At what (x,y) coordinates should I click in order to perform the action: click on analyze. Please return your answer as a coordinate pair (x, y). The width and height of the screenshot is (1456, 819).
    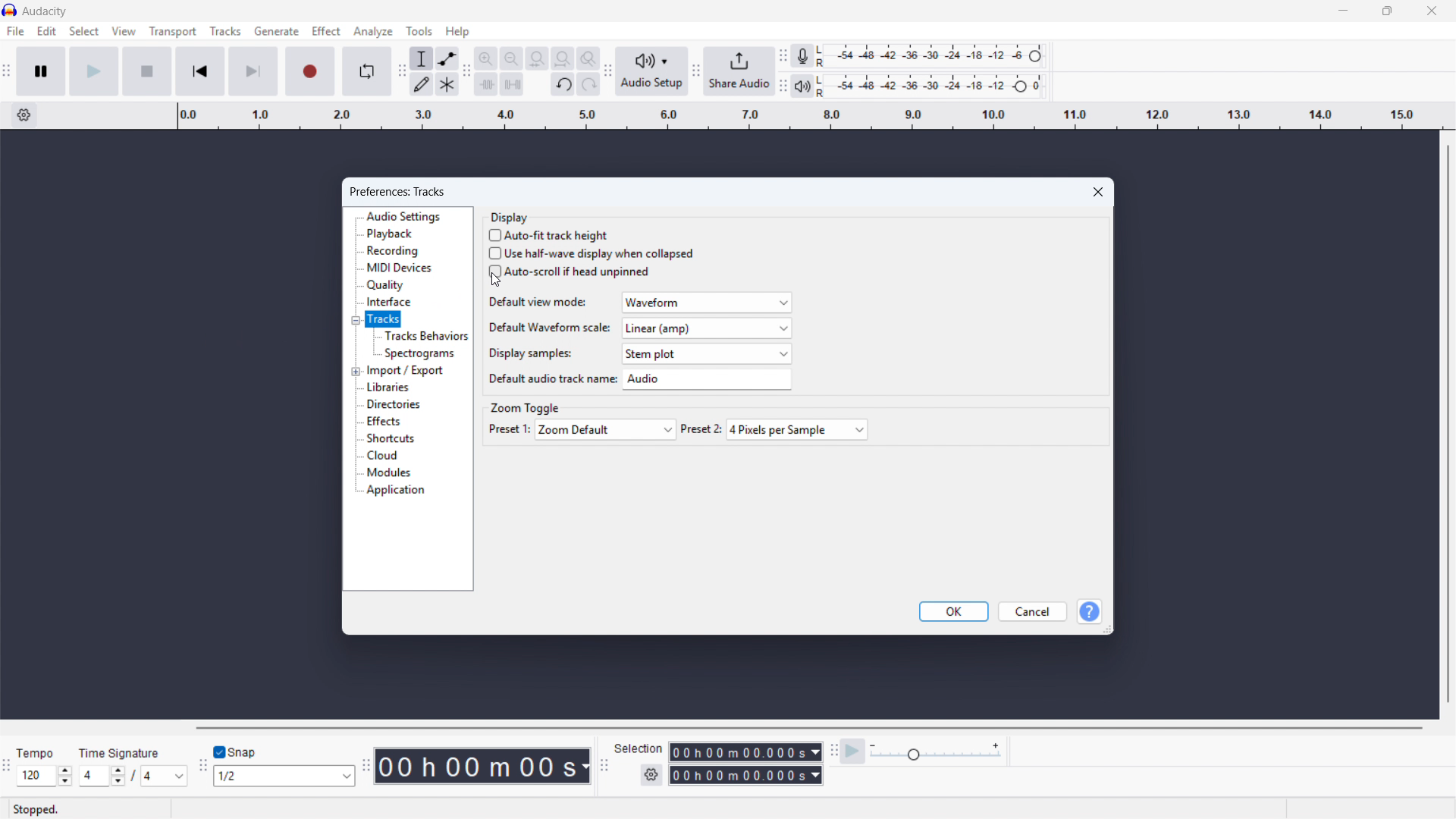
    Looking at the image, I should click on (374, 31).